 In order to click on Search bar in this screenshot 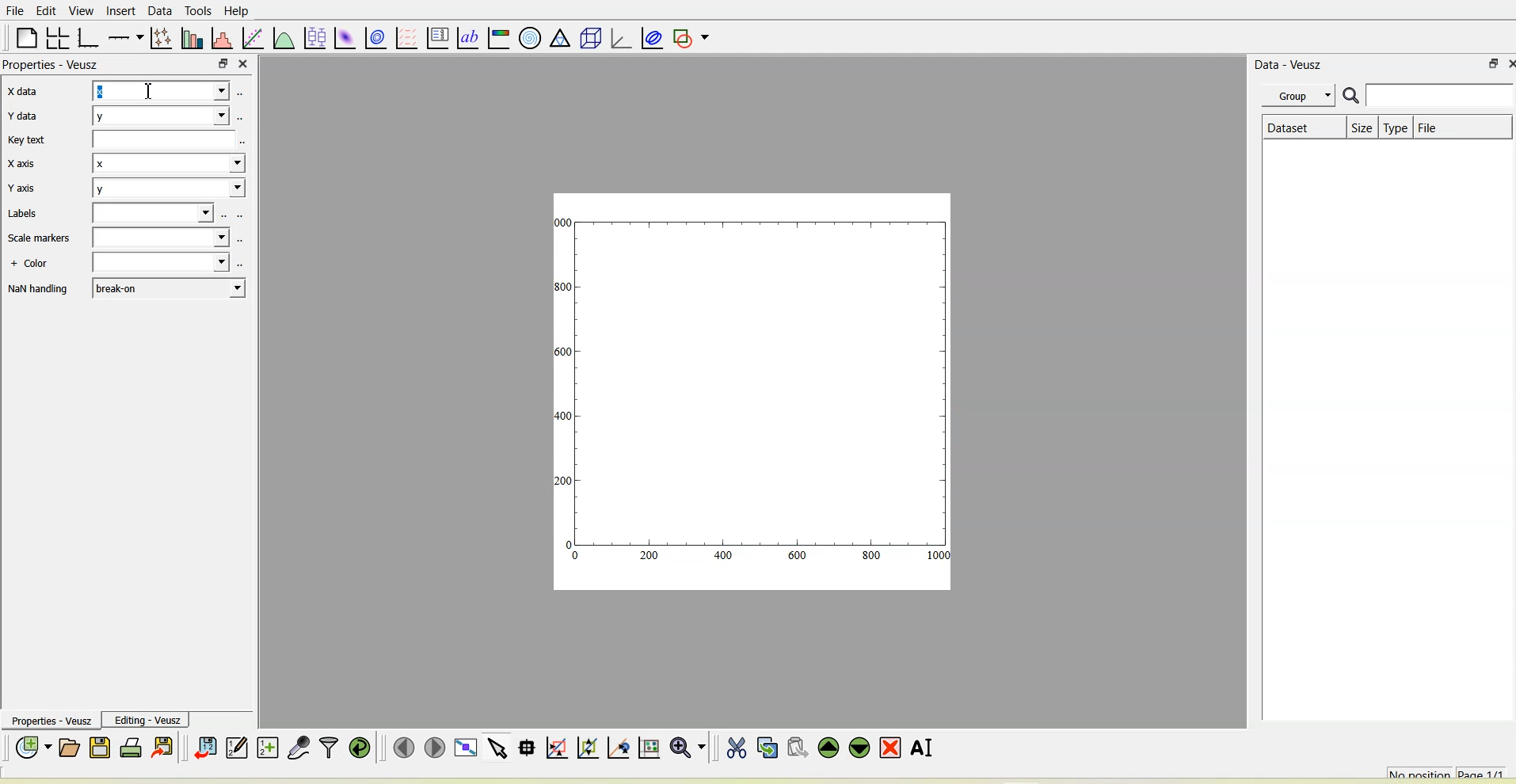, I will do `click(1427, 95)`.